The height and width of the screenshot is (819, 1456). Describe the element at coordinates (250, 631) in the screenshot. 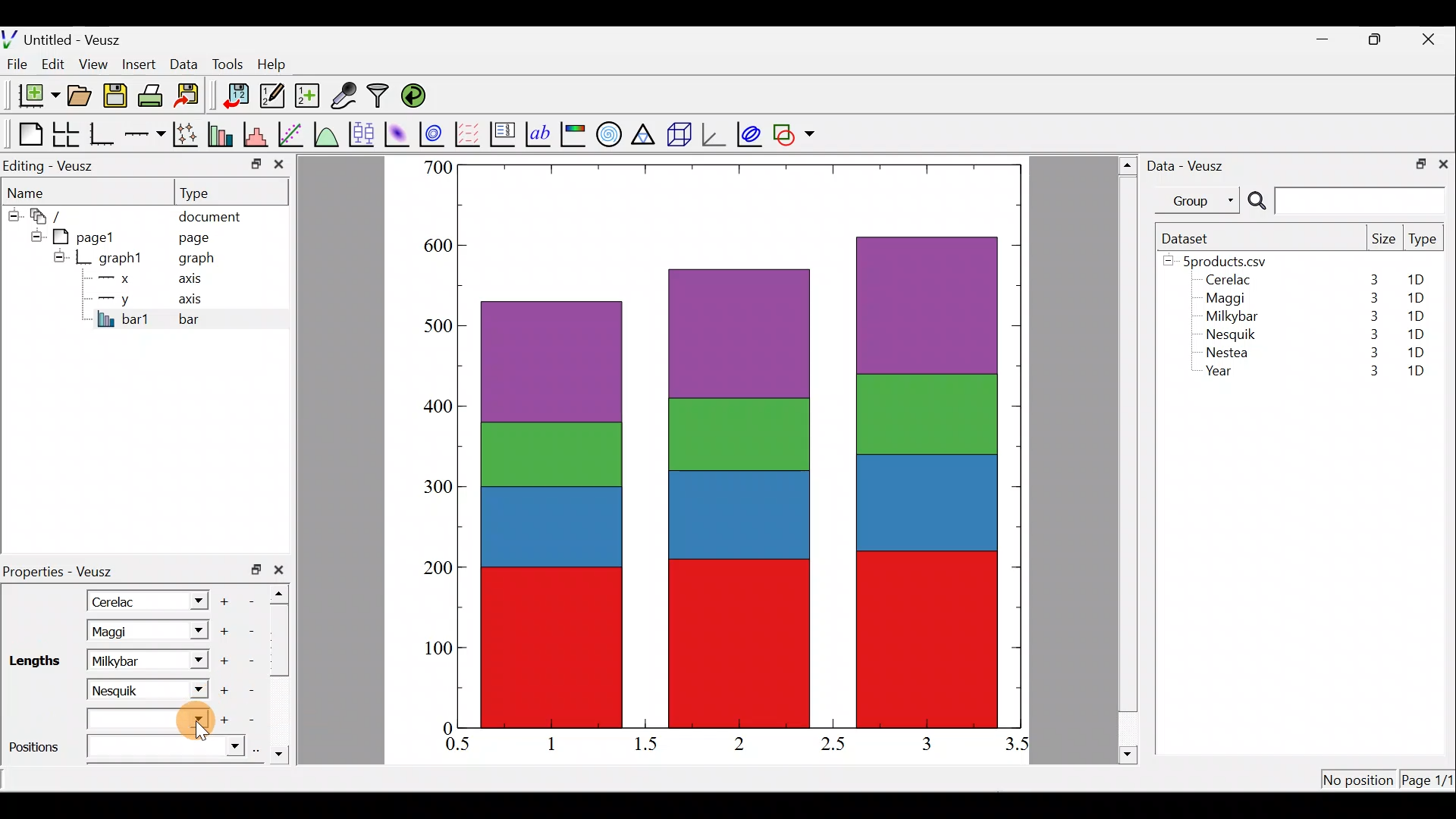

I see `remove item` at that location.